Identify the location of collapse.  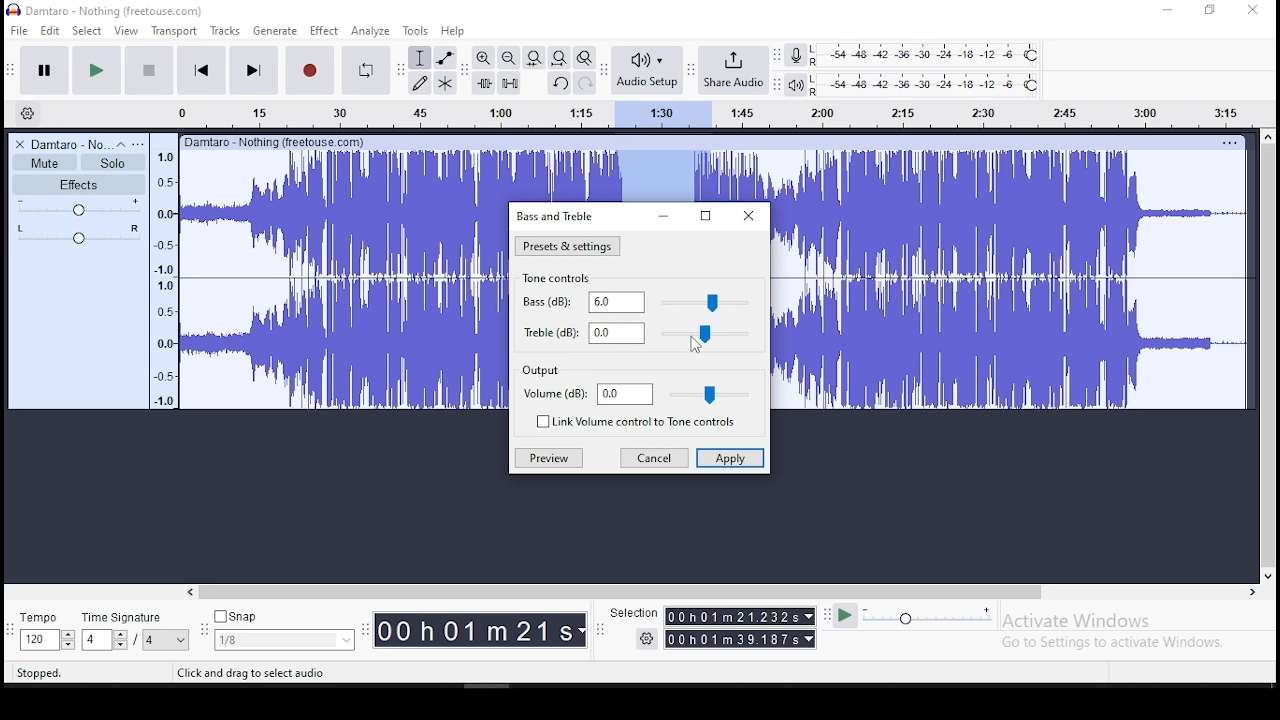
(120, 144).